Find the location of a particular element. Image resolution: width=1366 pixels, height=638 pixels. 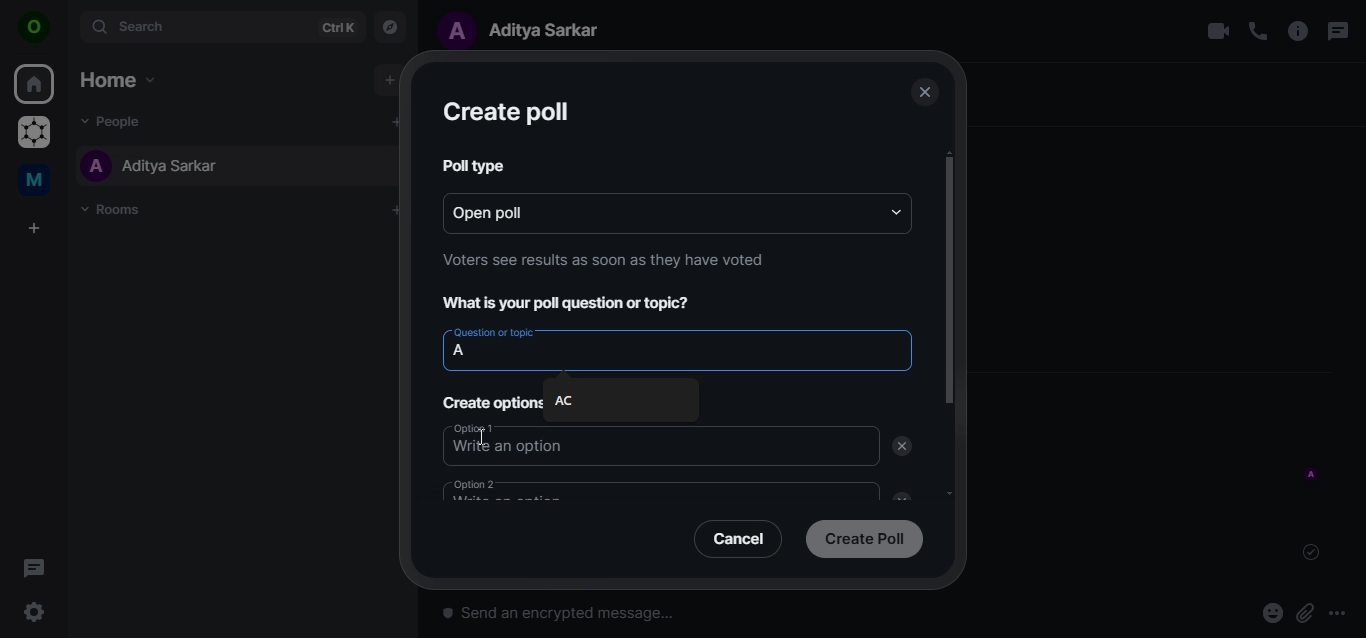

message sent is located at coordinates (1313, 552).